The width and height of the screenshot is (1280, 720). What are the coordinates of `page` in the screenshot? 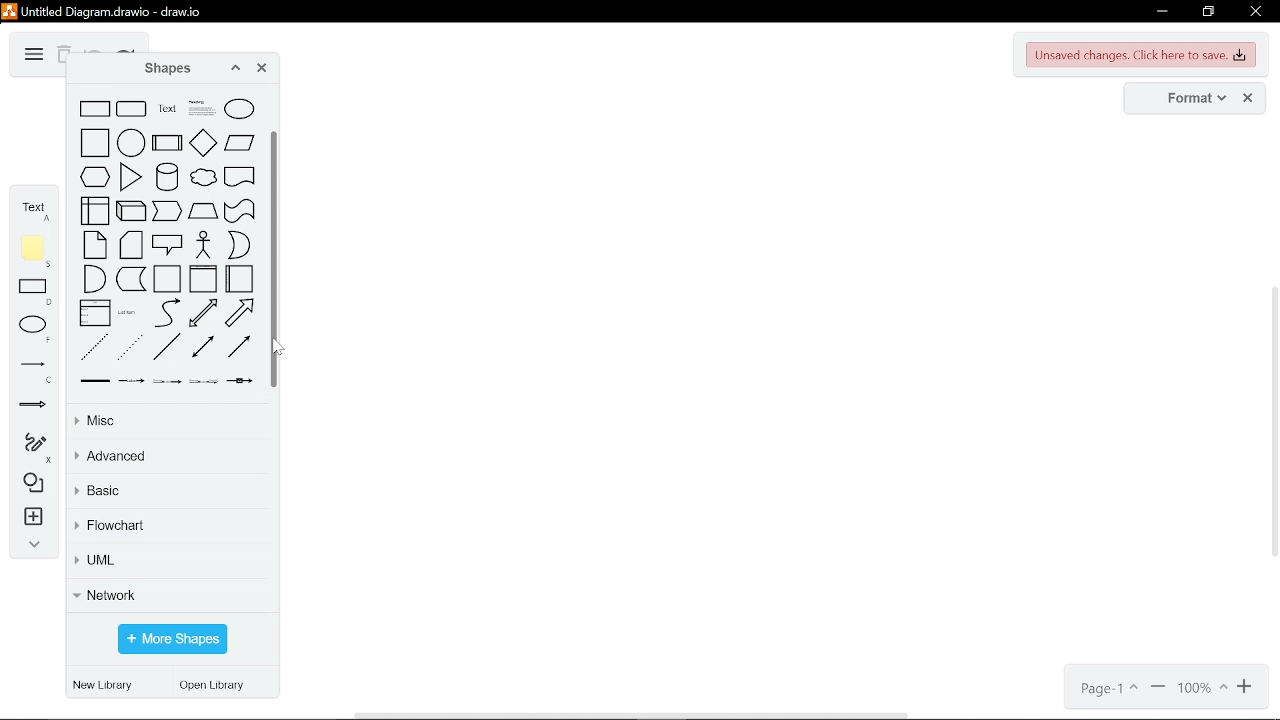 It's located at (1107, 689).